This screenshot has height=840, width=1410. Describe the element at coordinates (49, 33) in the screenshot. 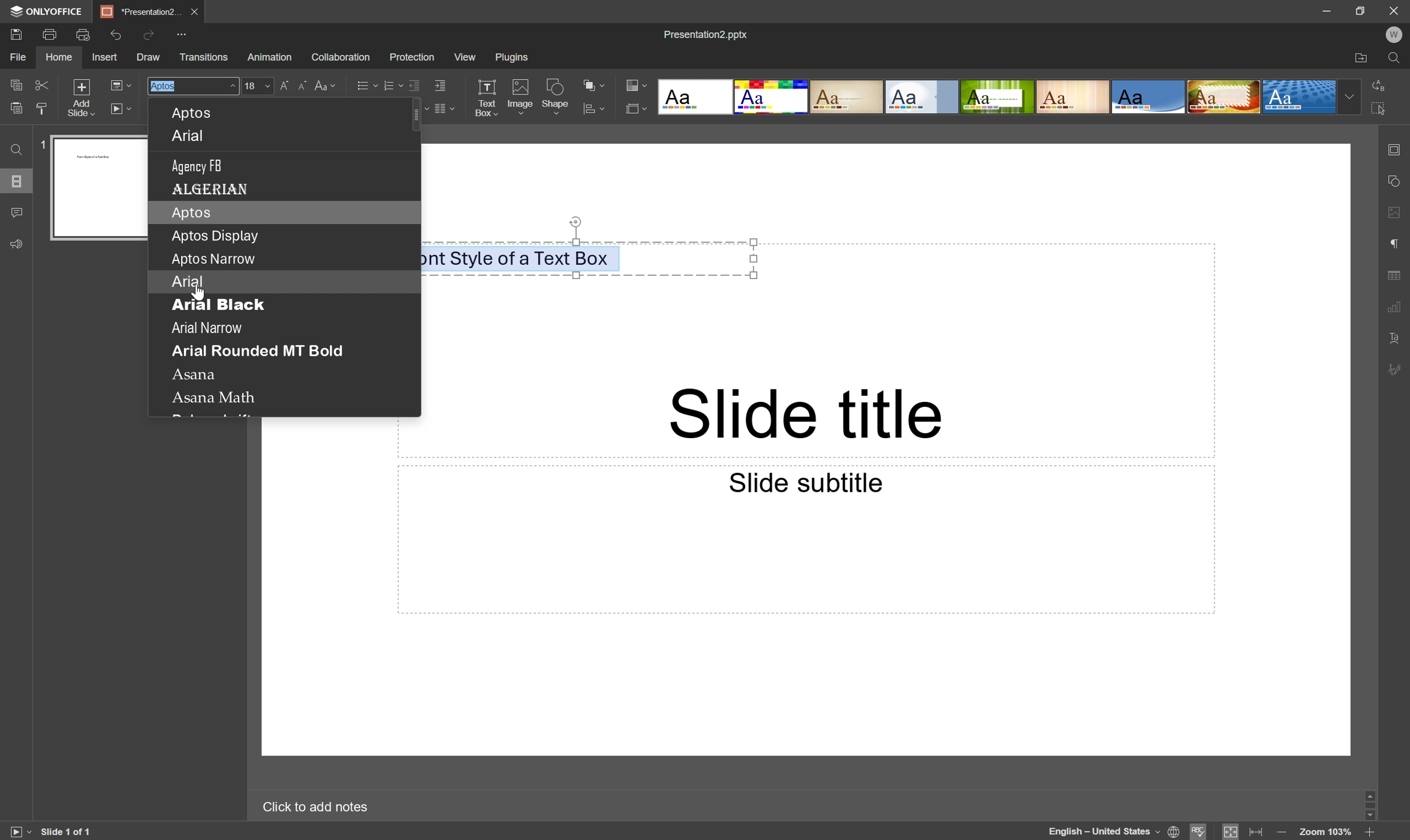

I see `Print file` at that location.